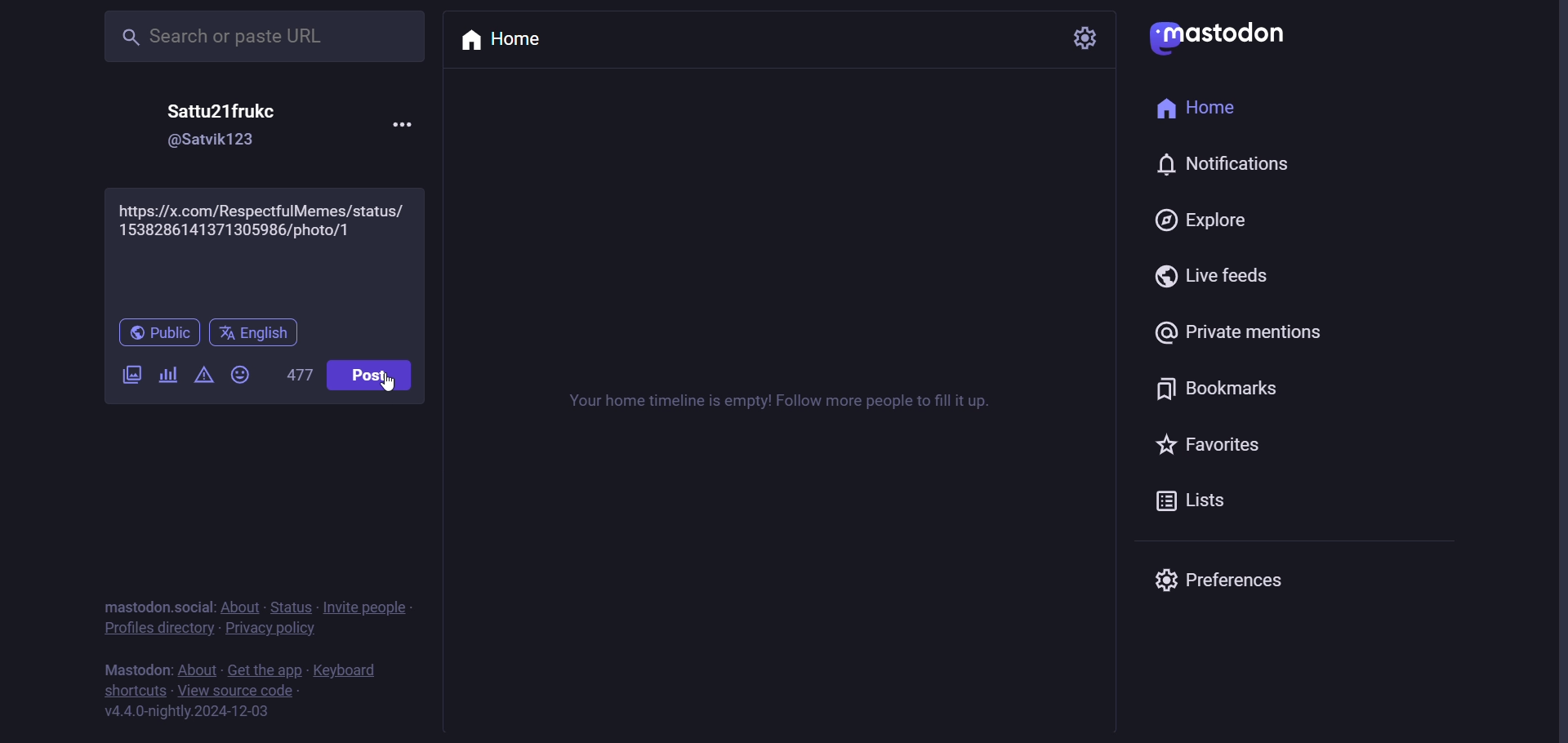  What do you see at coordinates (131, 375) in the screenshot?
I see `images/videos` at bounding box center [131, 375].